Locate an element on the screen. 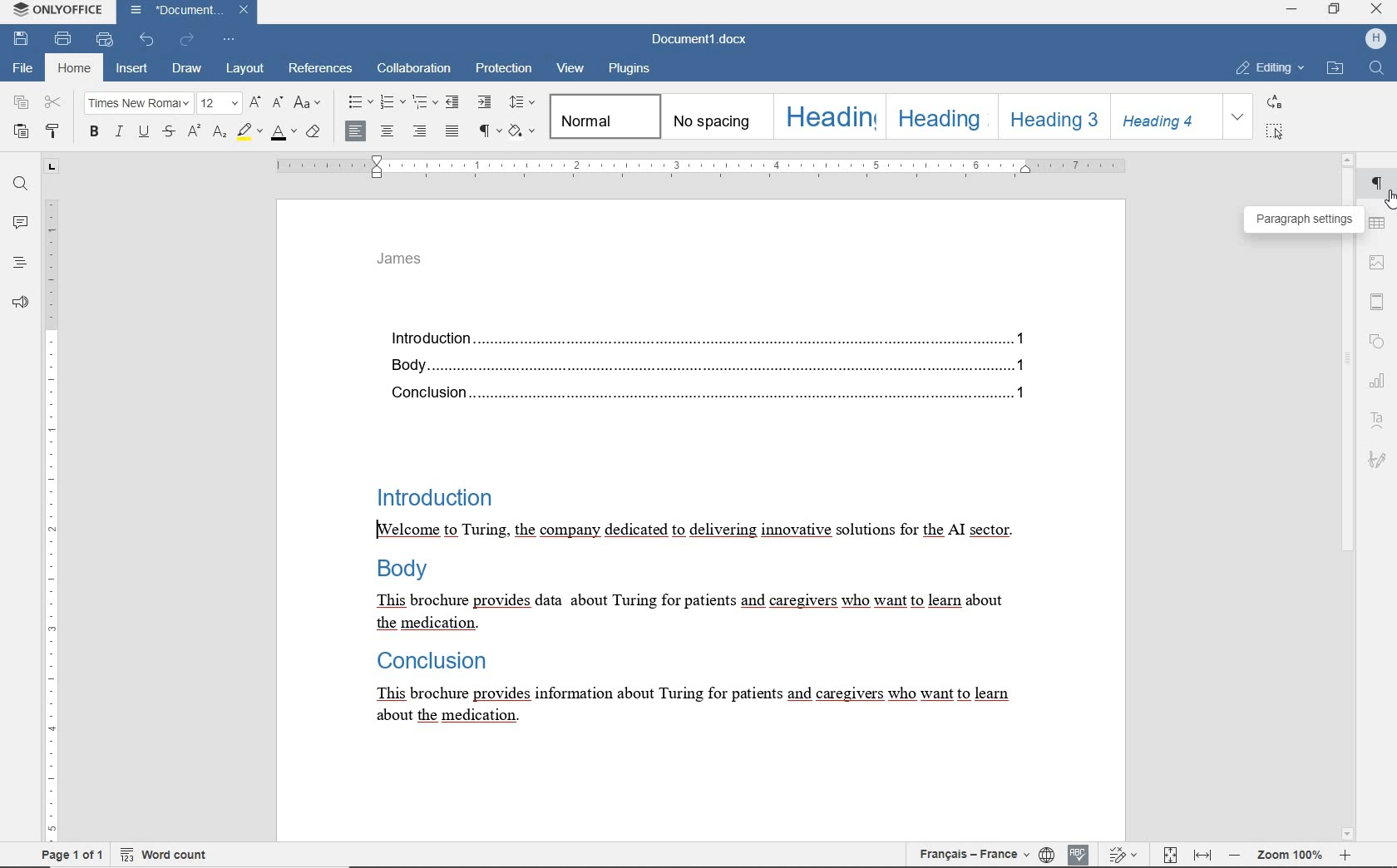 The width and height of the screenshot is (1397, 868). save is located at coordinates (23, 40).